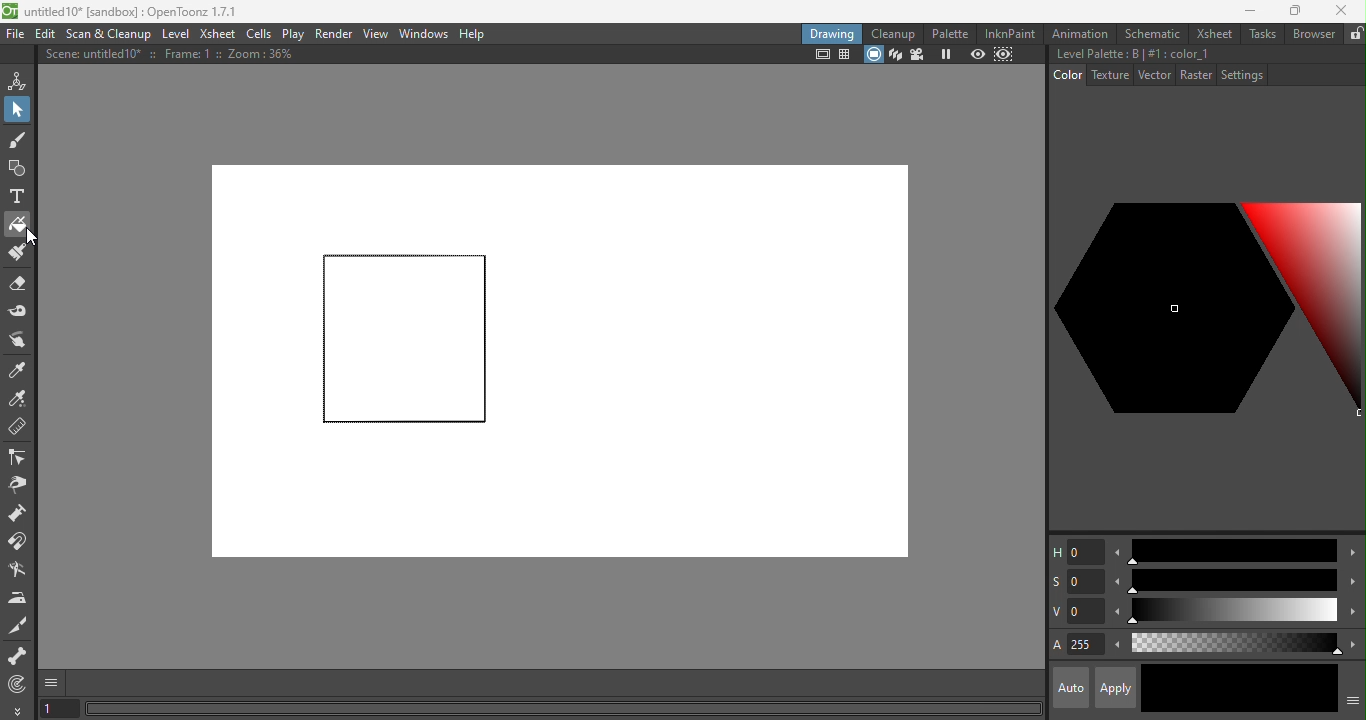  Describe the element at coordinates (560, 707) in the screenshot. I see `Horizontal scroll bar` at that location.